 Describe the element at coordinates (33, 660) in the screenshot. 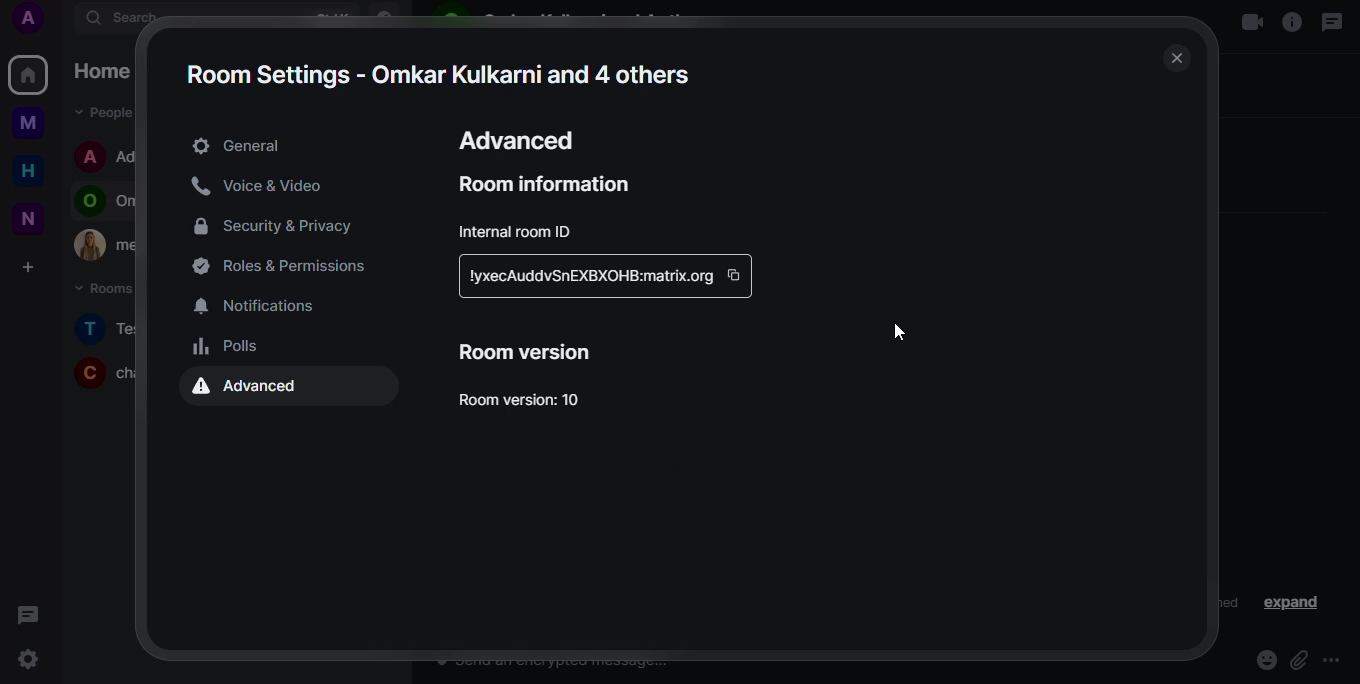

I see `quick settings` at that location.